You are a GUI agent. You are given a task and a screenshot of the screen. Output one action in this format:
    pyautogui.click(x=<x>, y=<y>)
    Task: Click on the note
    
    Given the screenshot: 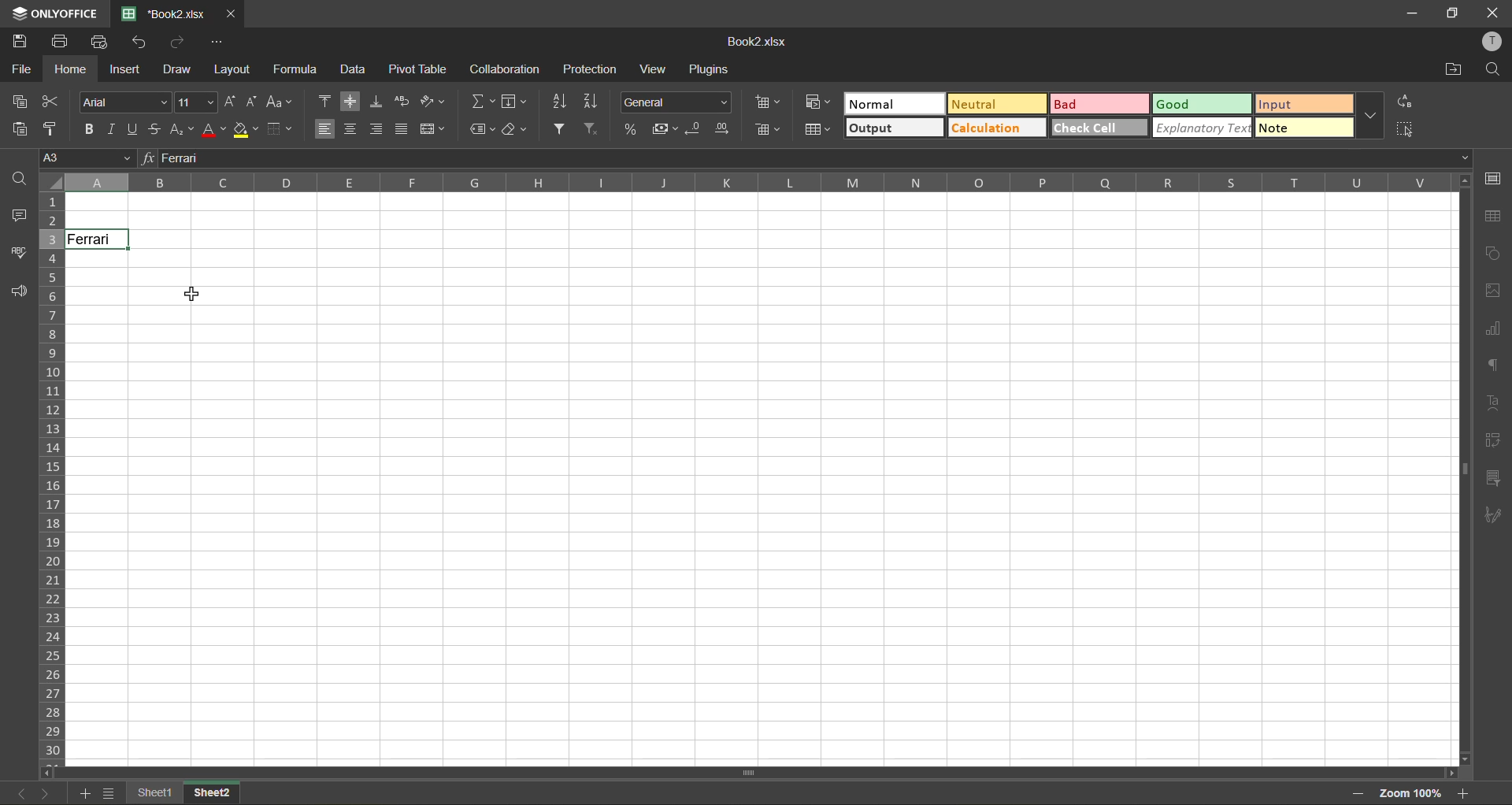 What is the action you would take?
    pyautogui.click(x=1305, y=127)
    